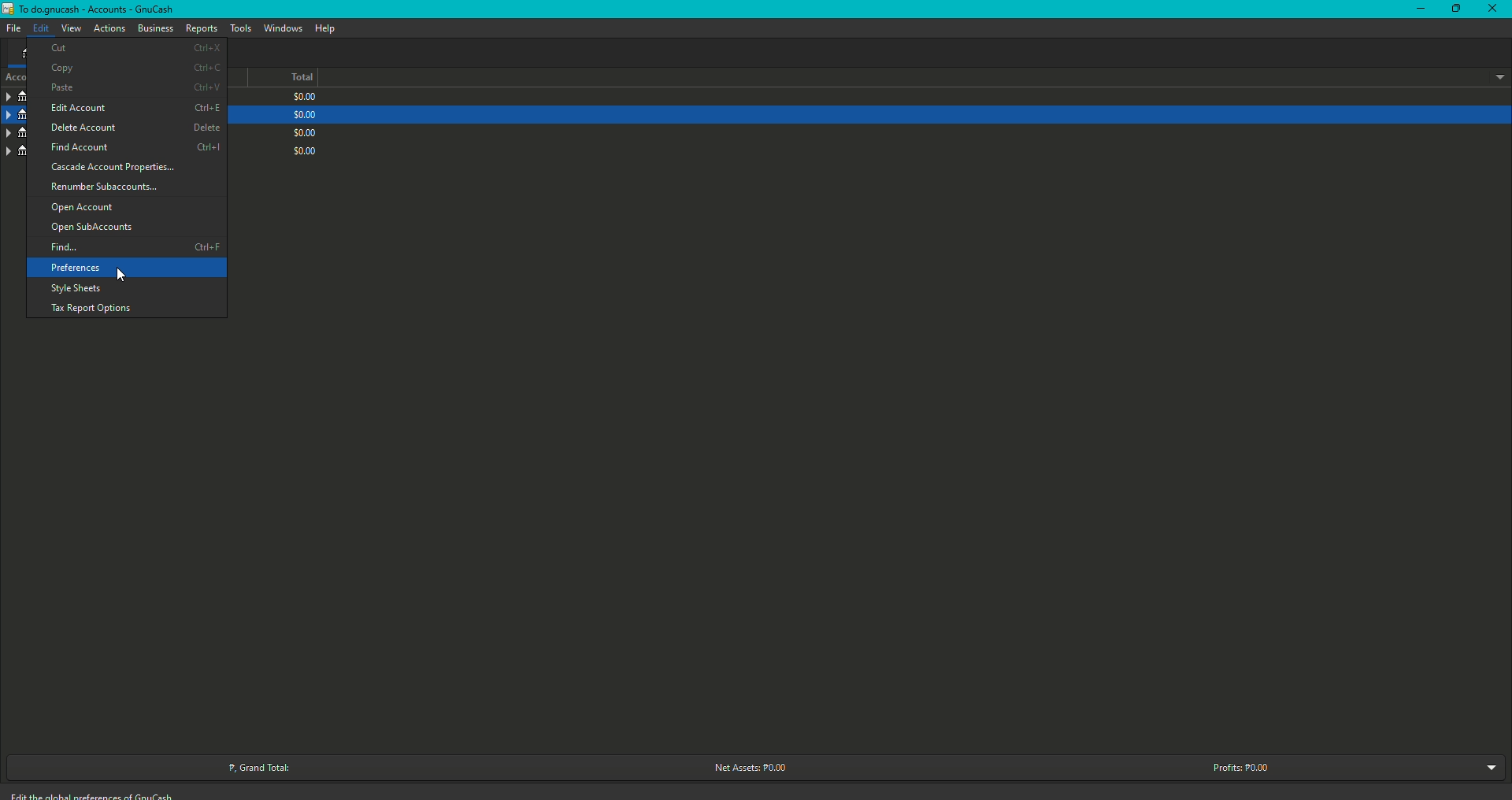  Describe the element at coordinates (92, 228) in the screenshot. I see `Open SubAccounts` at that location.